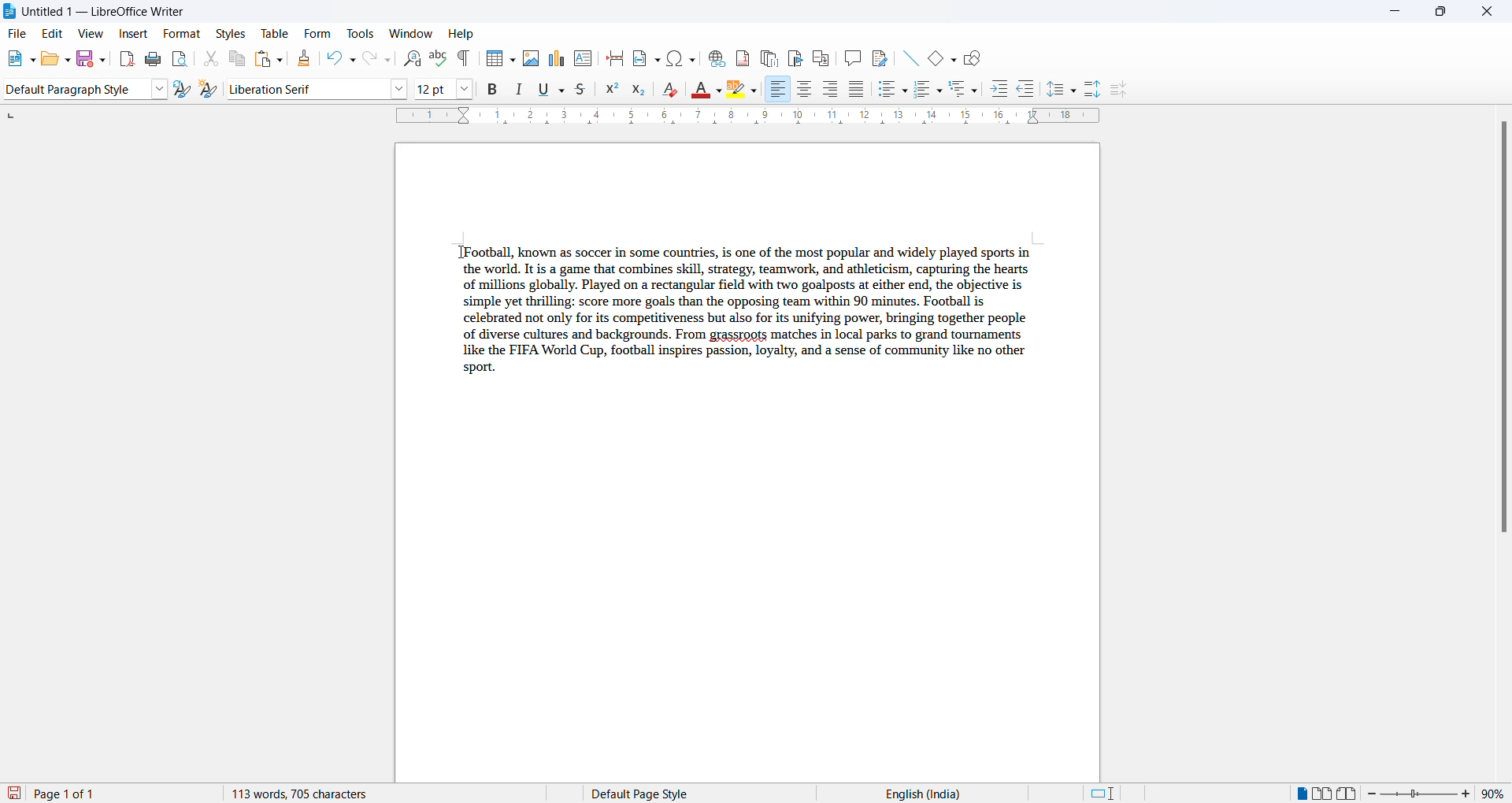 The height and width of the screenshot is (803, 1512). I want to click on paste, so click(263, 60).